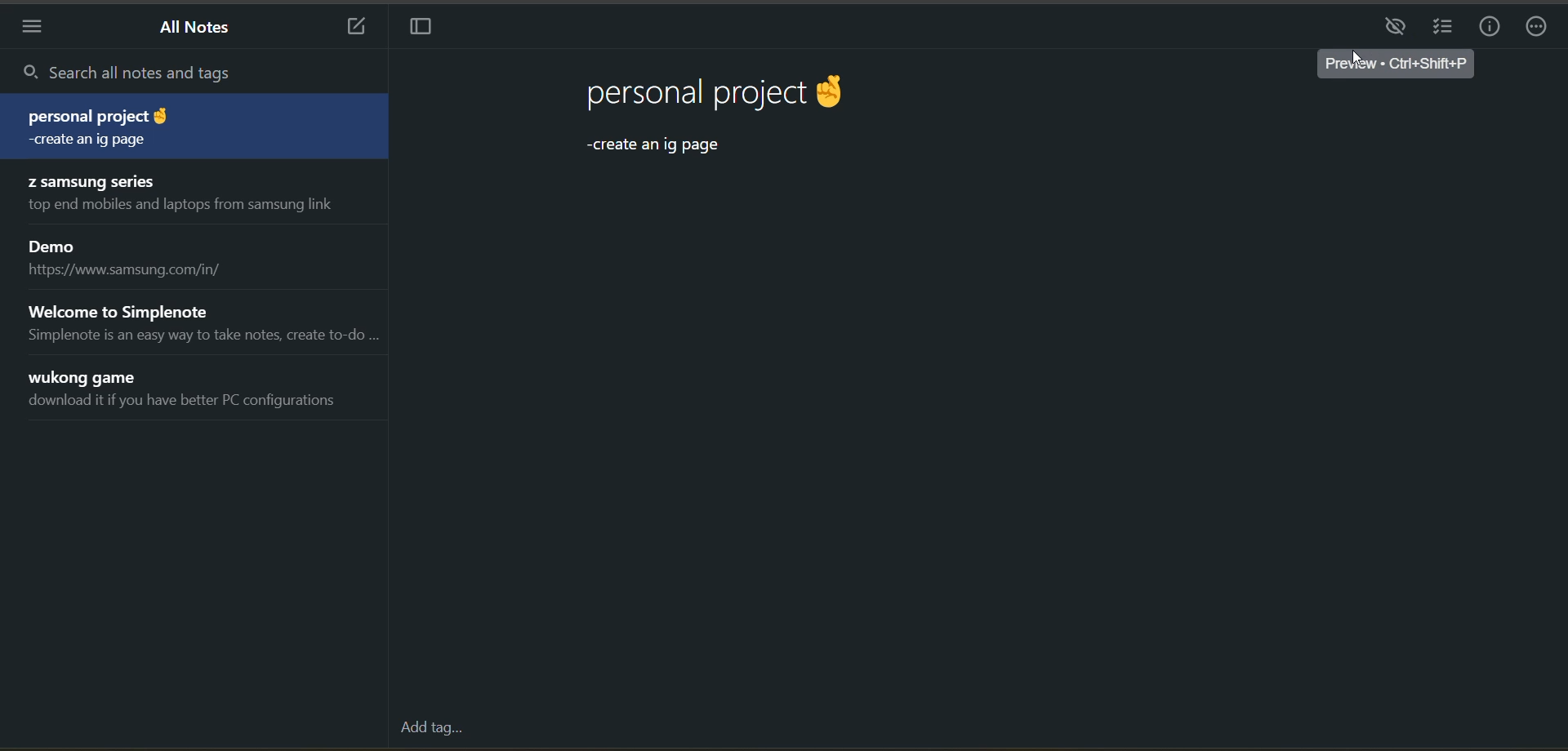 This screenshot has height=751, width=1568. I want to click on add tag, so click(430, 730).